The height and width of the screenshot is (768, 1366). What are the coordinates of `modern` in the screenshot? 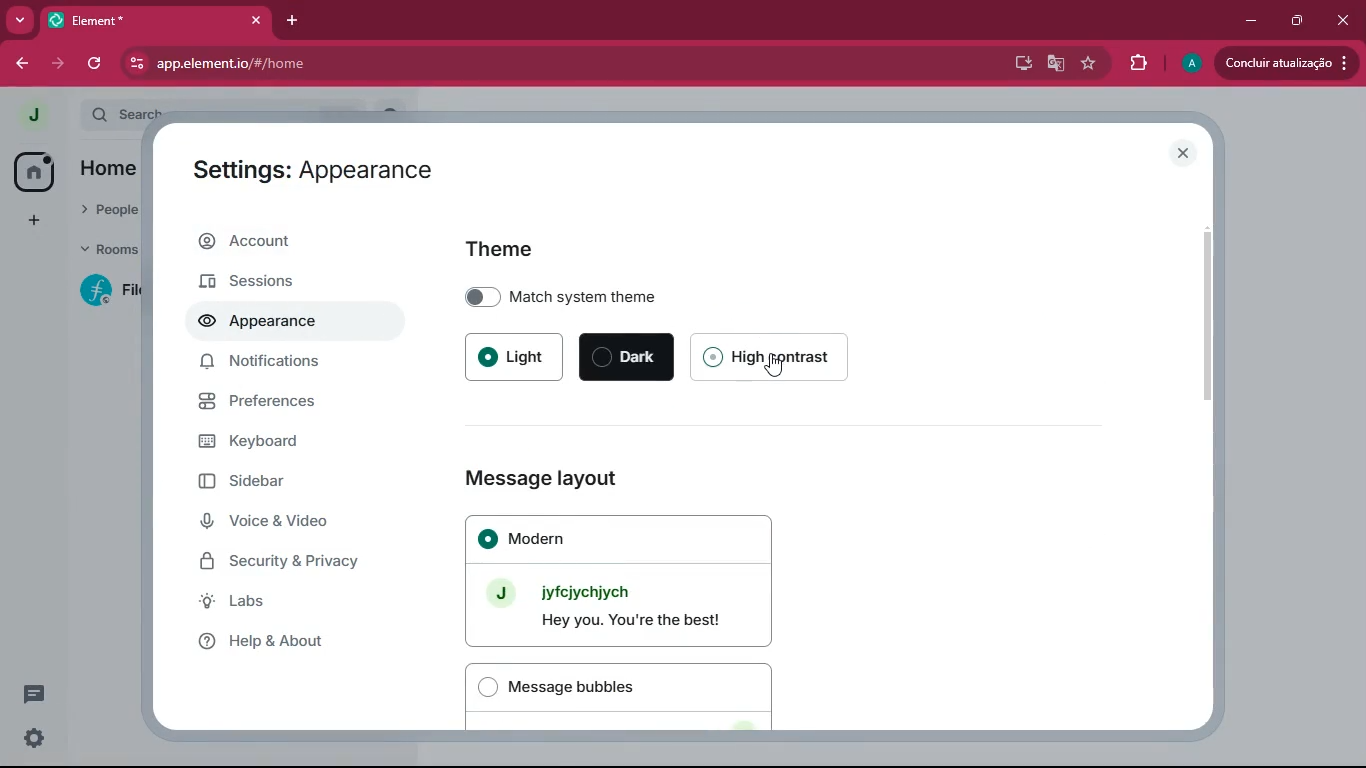 It's located at (627, 580).